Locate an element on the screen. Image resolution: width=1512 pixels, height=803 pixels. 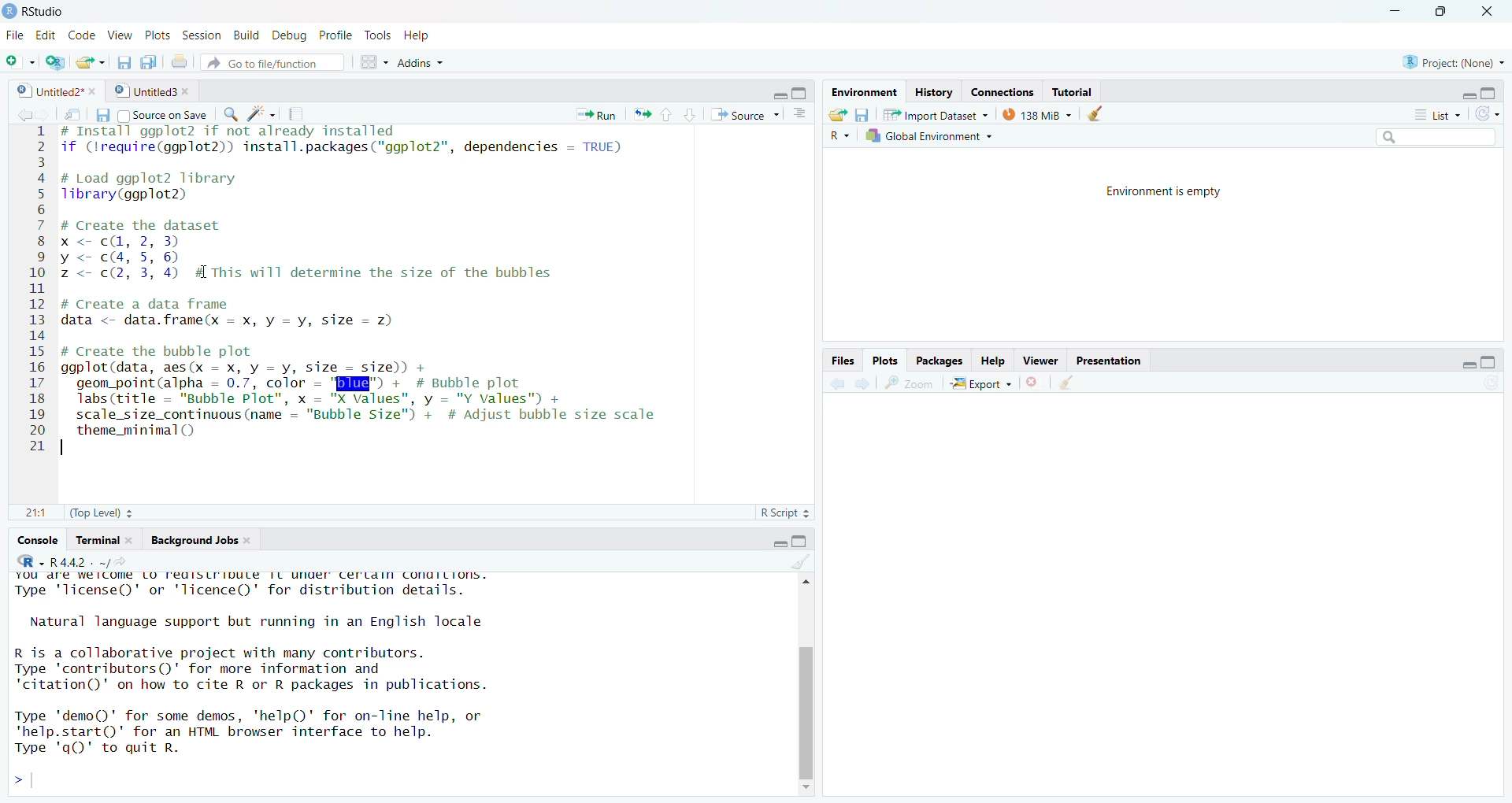
Build is located at coordinates (243, 36).